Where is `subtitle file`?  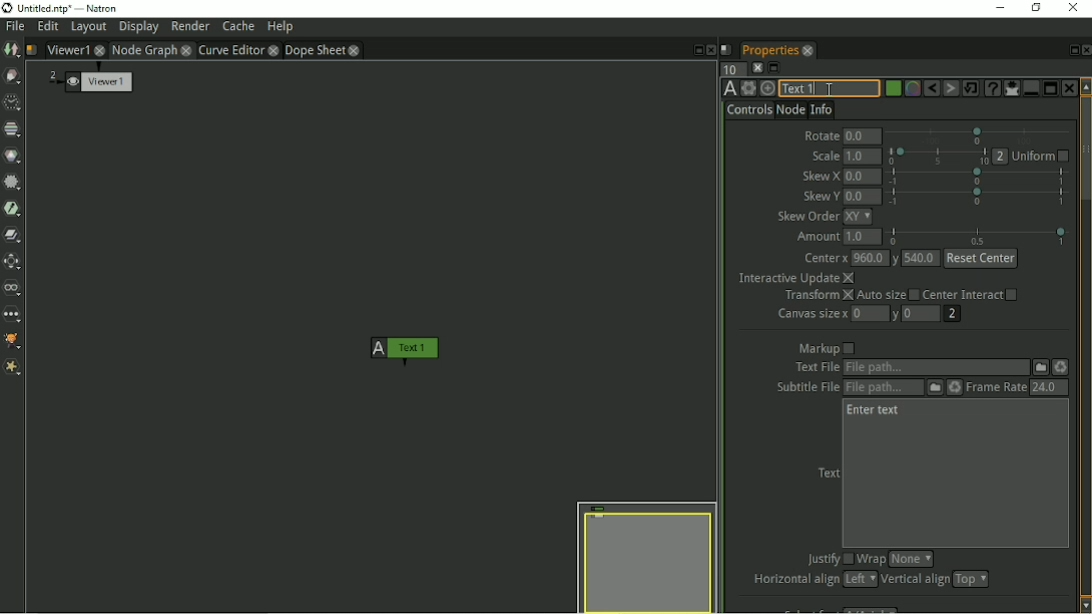
subtitle file is located at coordinates (808, 388).